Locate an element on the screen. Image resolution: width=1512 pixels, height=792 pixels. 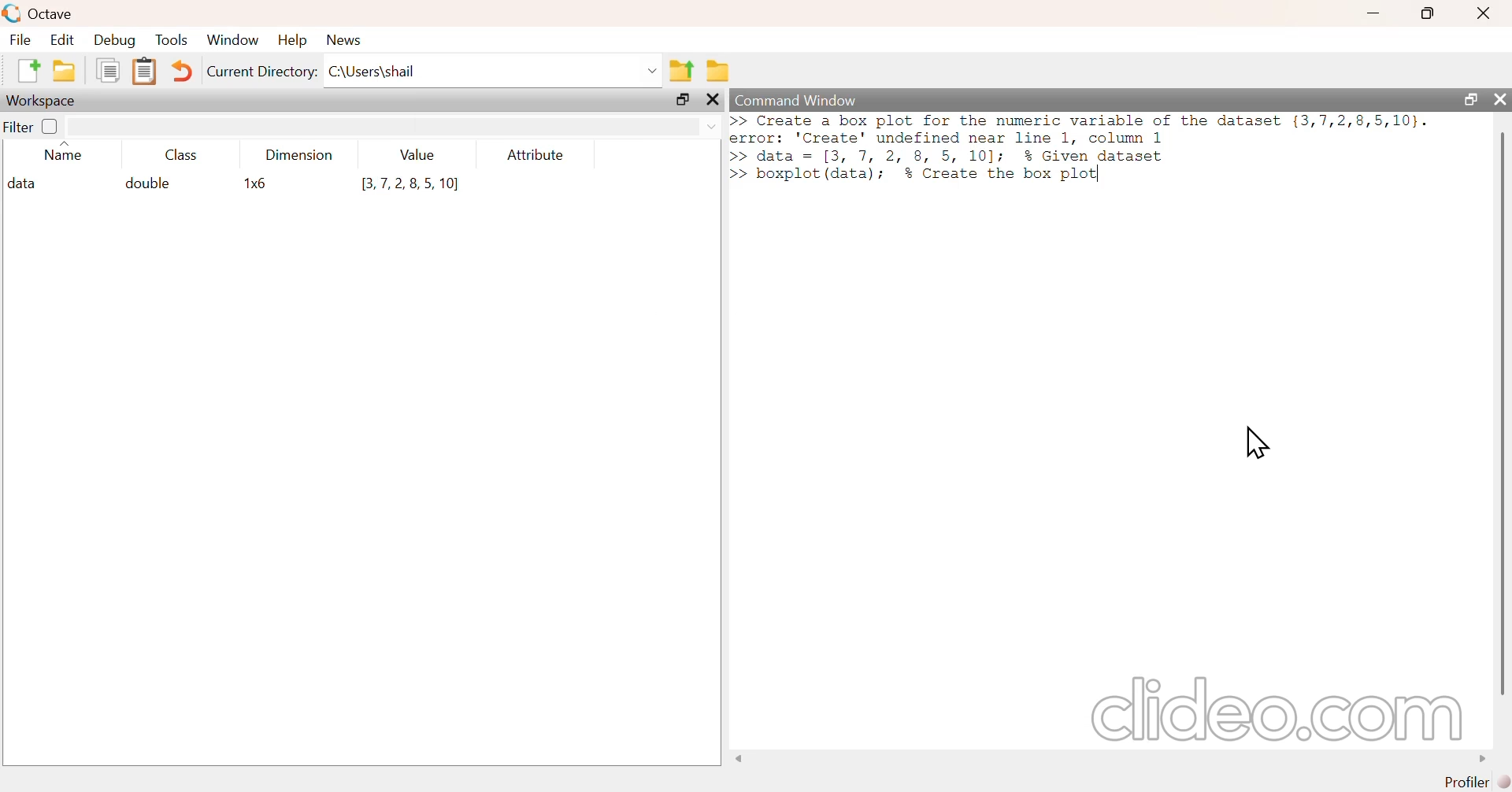
cursor is located at coordinates (1258, 442).